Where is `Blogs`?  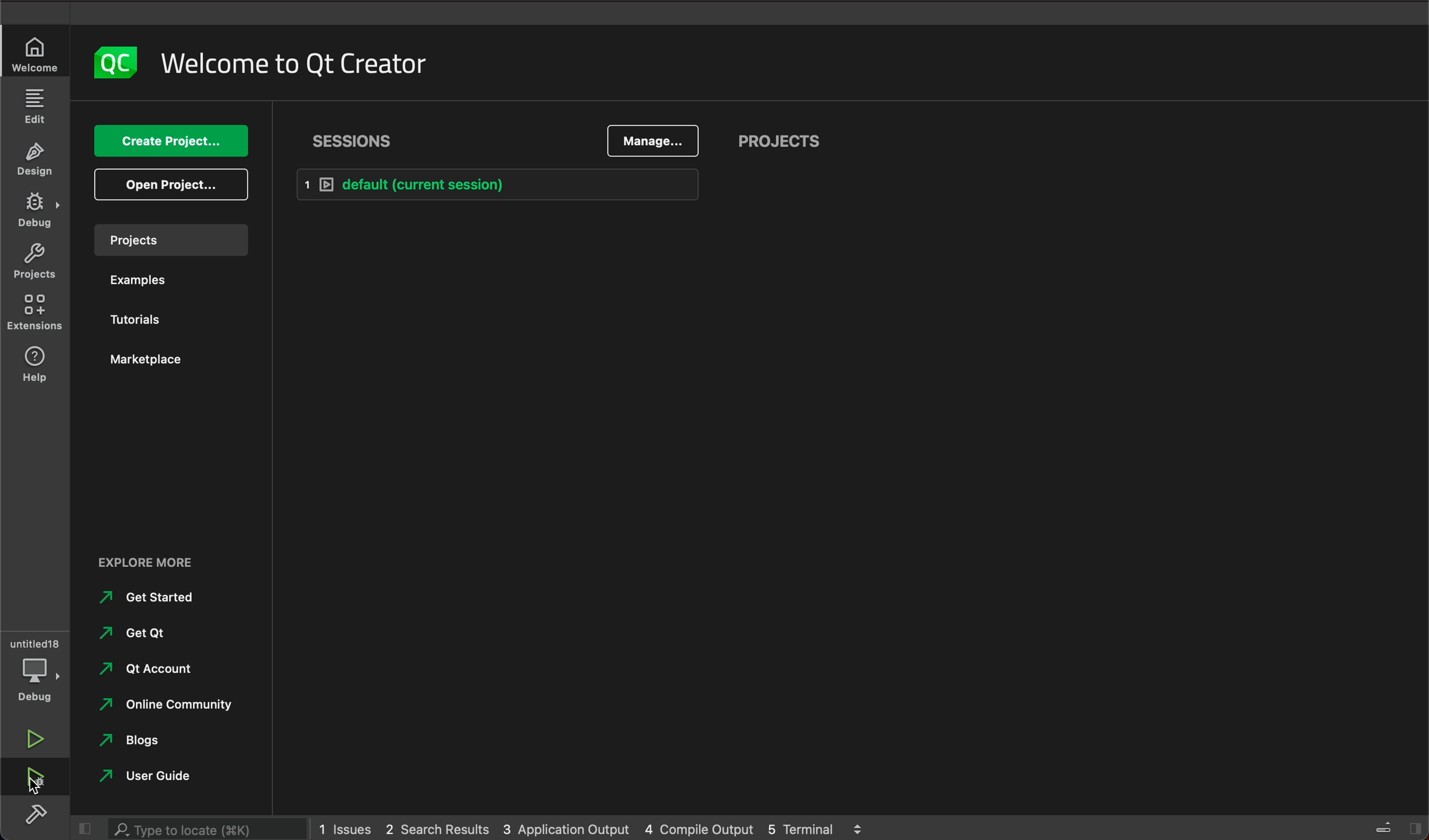
Blogs is located at coordinates (135, 740).